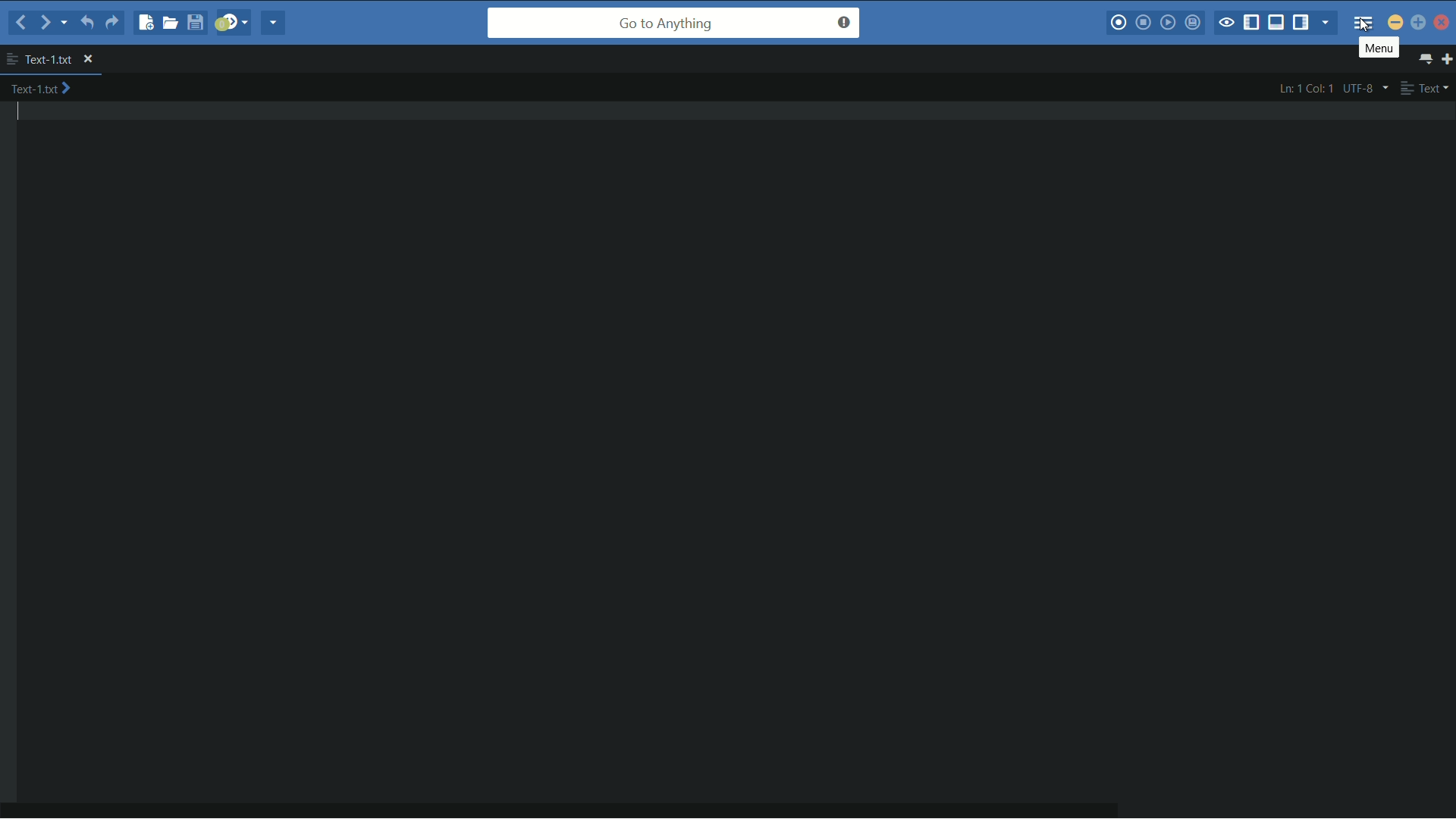 The image size is (1456, 819). Describe the element at coordinates (674, 24) in the screenshot. I see `go to anything ` at that location.